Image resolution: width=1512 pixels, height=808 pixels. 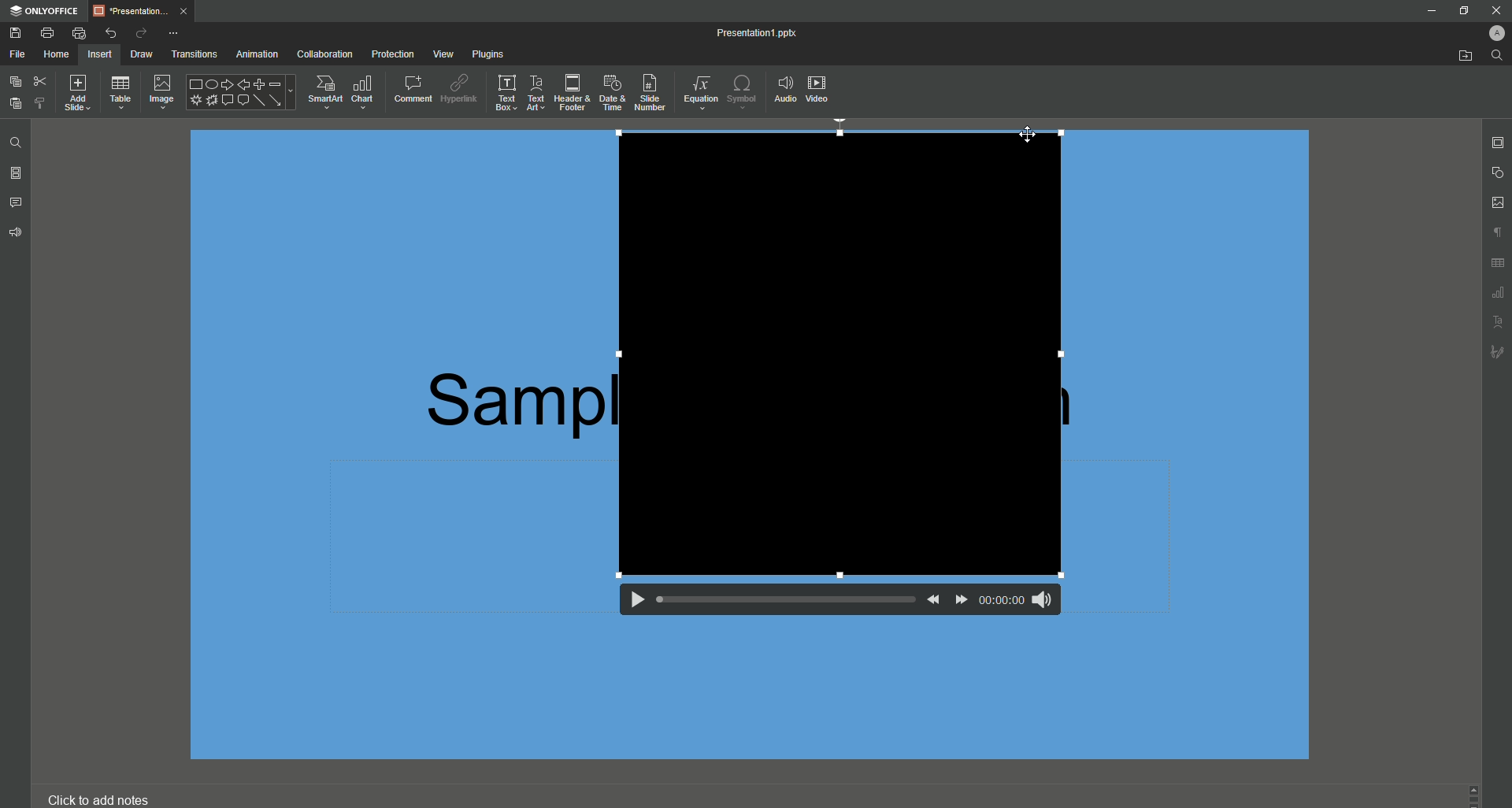 What do you see at coordinates (702, 95) in the screenshot?
I see `Equation` at bounding box center [702, 95].